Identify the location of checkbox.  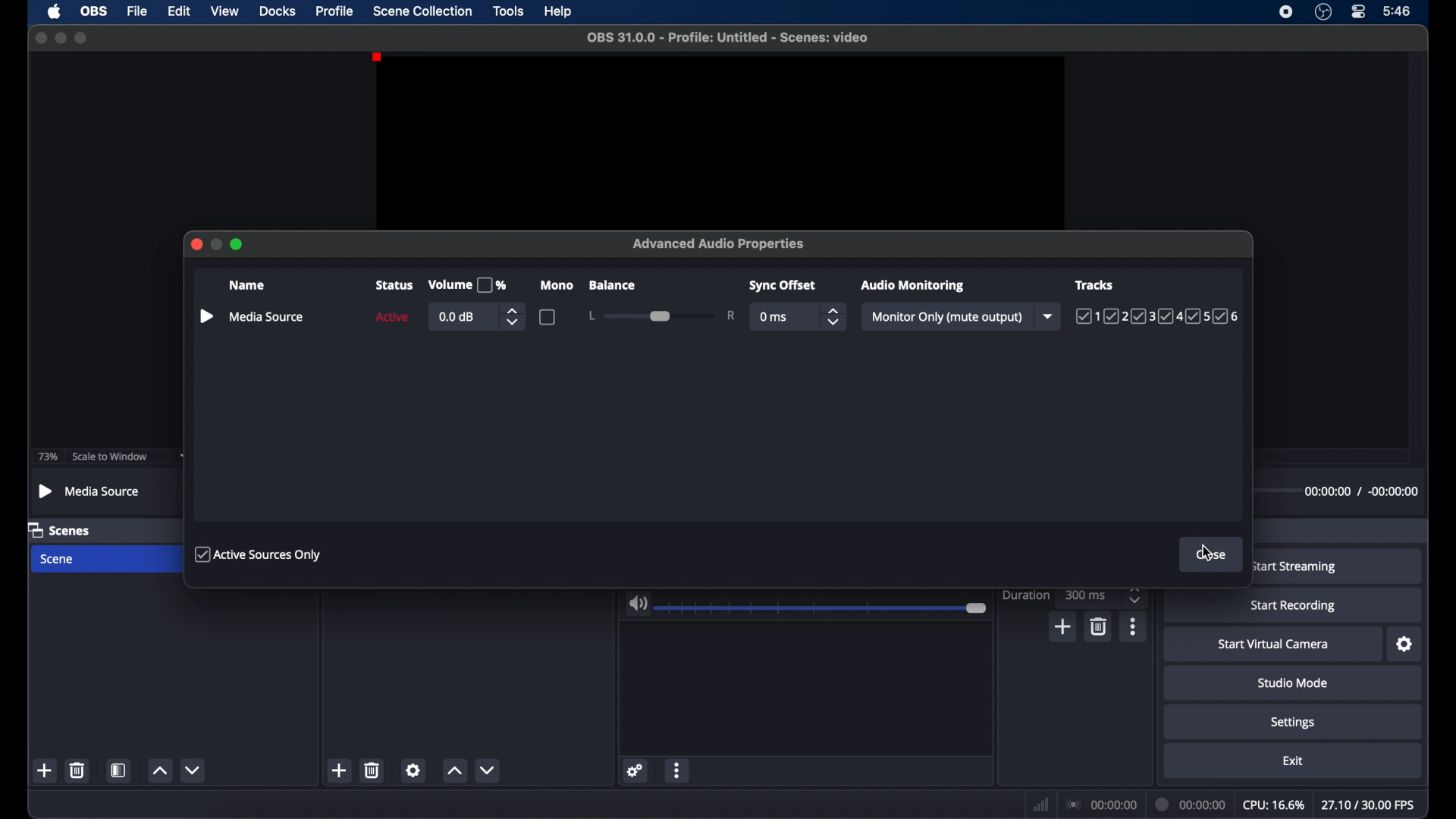
(548, 316).